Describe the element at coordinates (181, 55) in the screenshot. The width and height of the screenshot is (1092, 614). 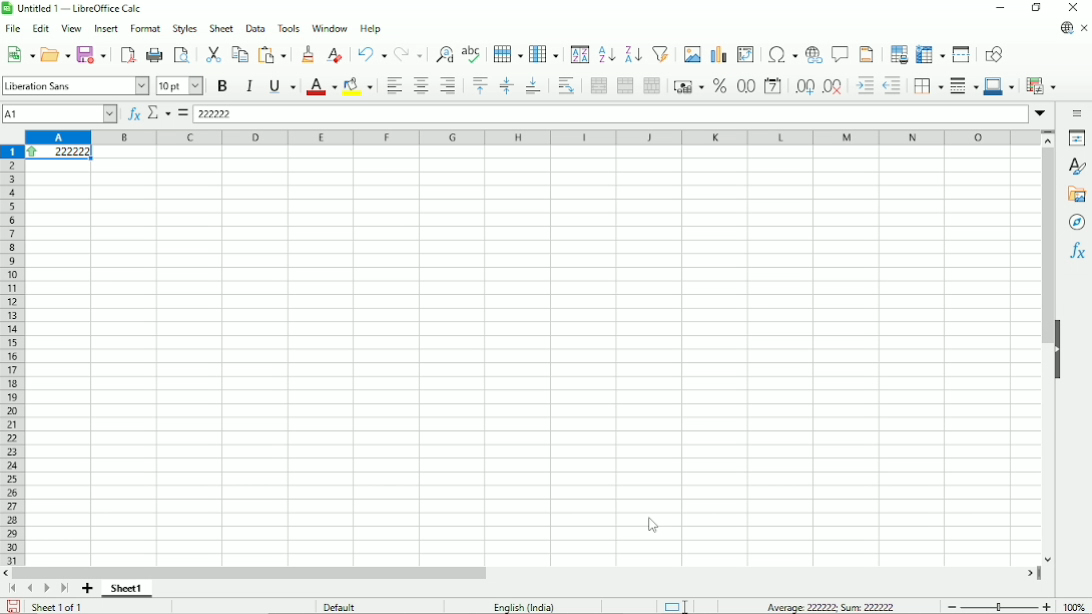
I see `Toggle print preview` at that location.